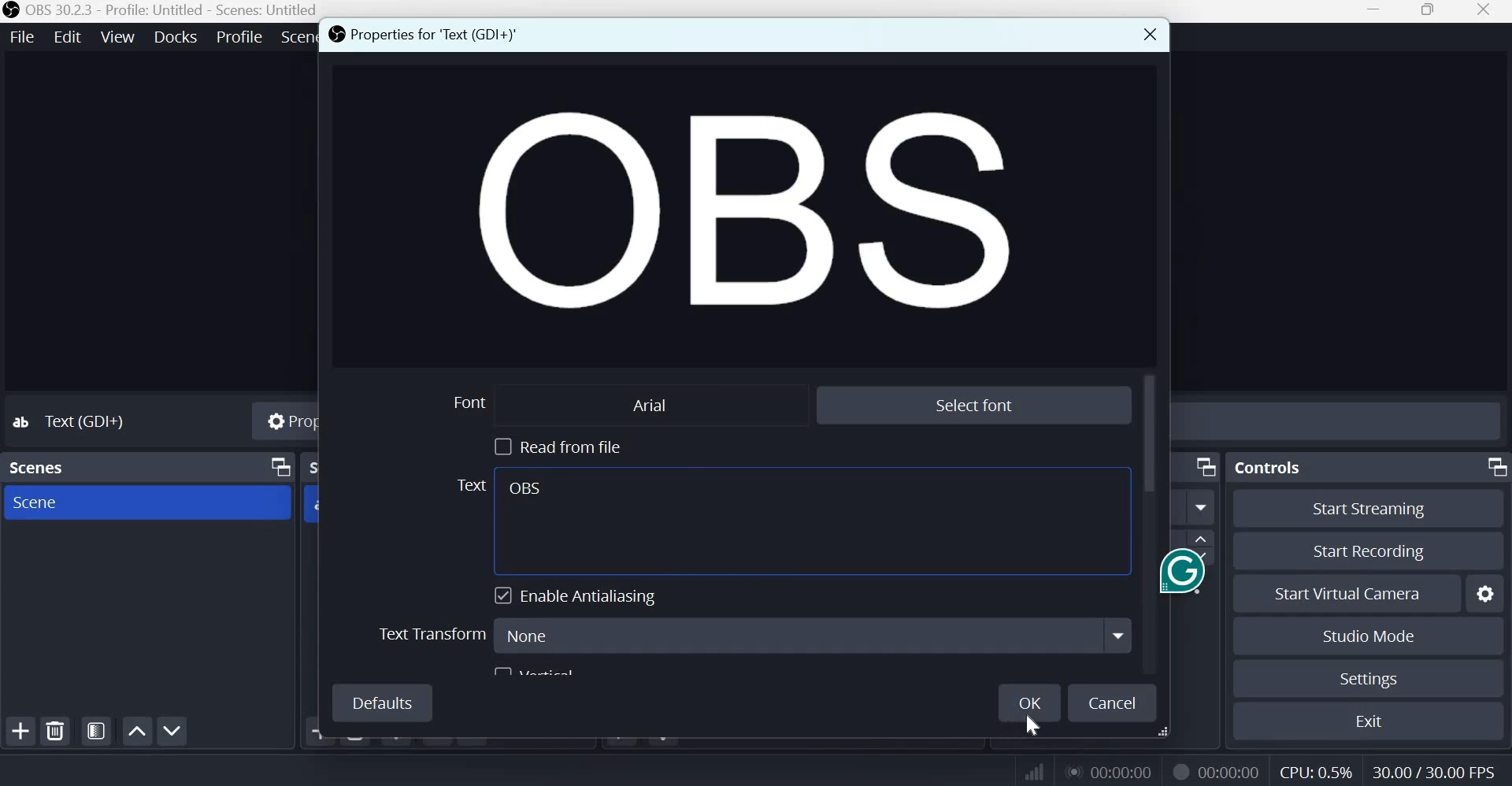 The width and height of the screenshot is (1512, 786). What do you see at coordinates (1354, 594) in the screenshot?
I see `Start virtual camera` at bounding box center [1354, 594].